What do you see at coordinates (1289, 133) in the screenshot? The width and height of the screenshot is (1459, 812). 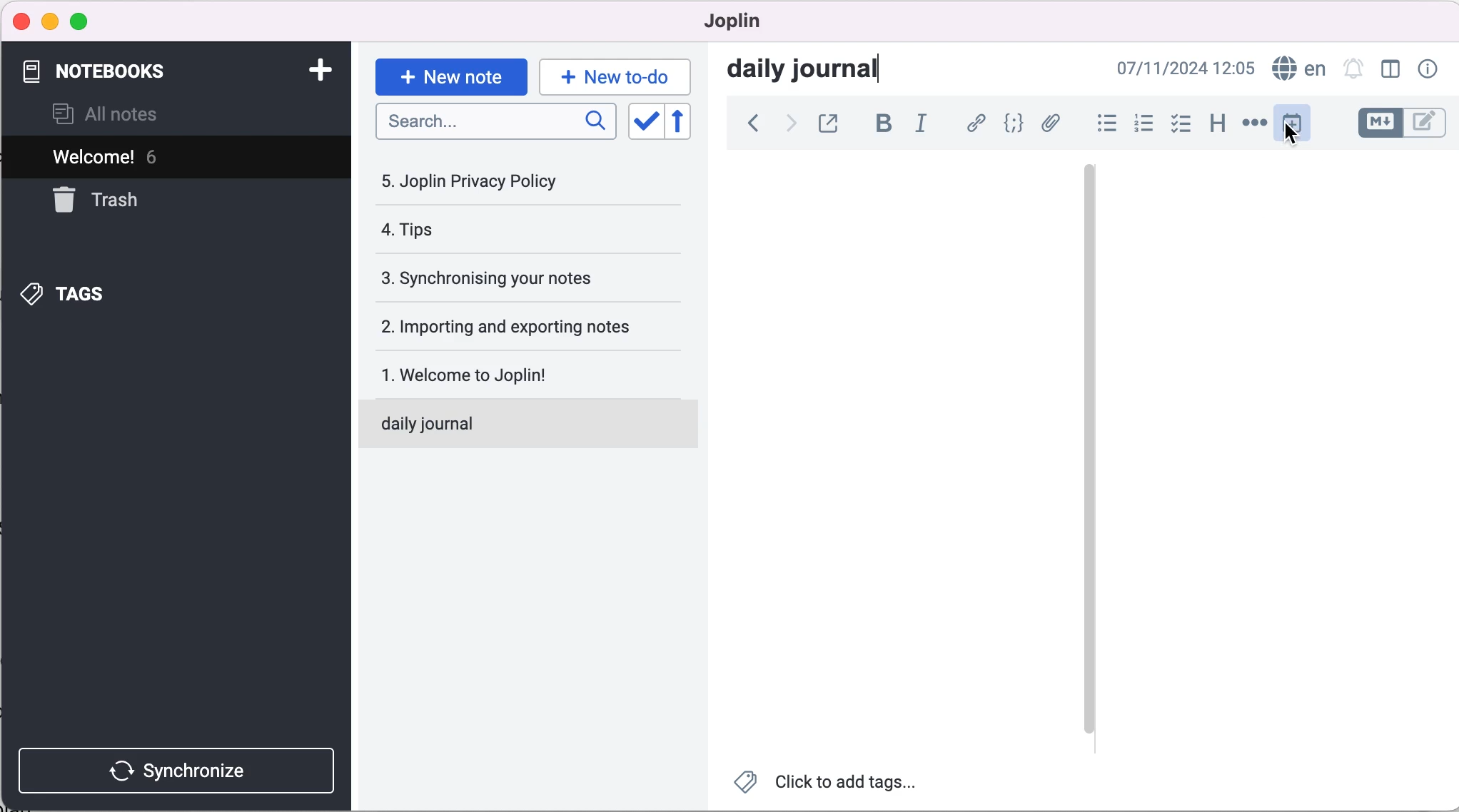 I see `cursor` at bounding box center [1289, 133].